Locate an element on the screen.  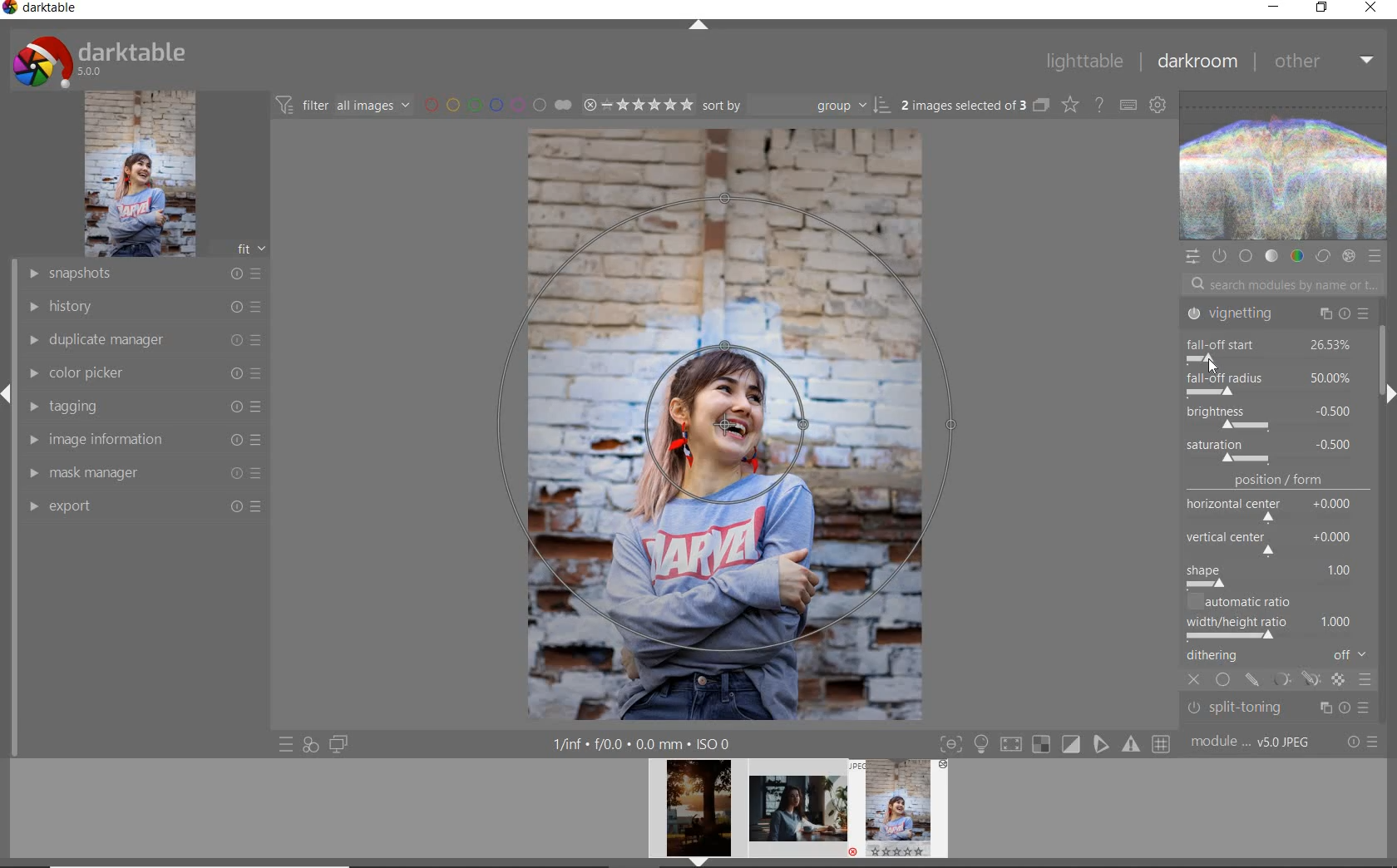
wave form is located at coordinates (1285, 167).